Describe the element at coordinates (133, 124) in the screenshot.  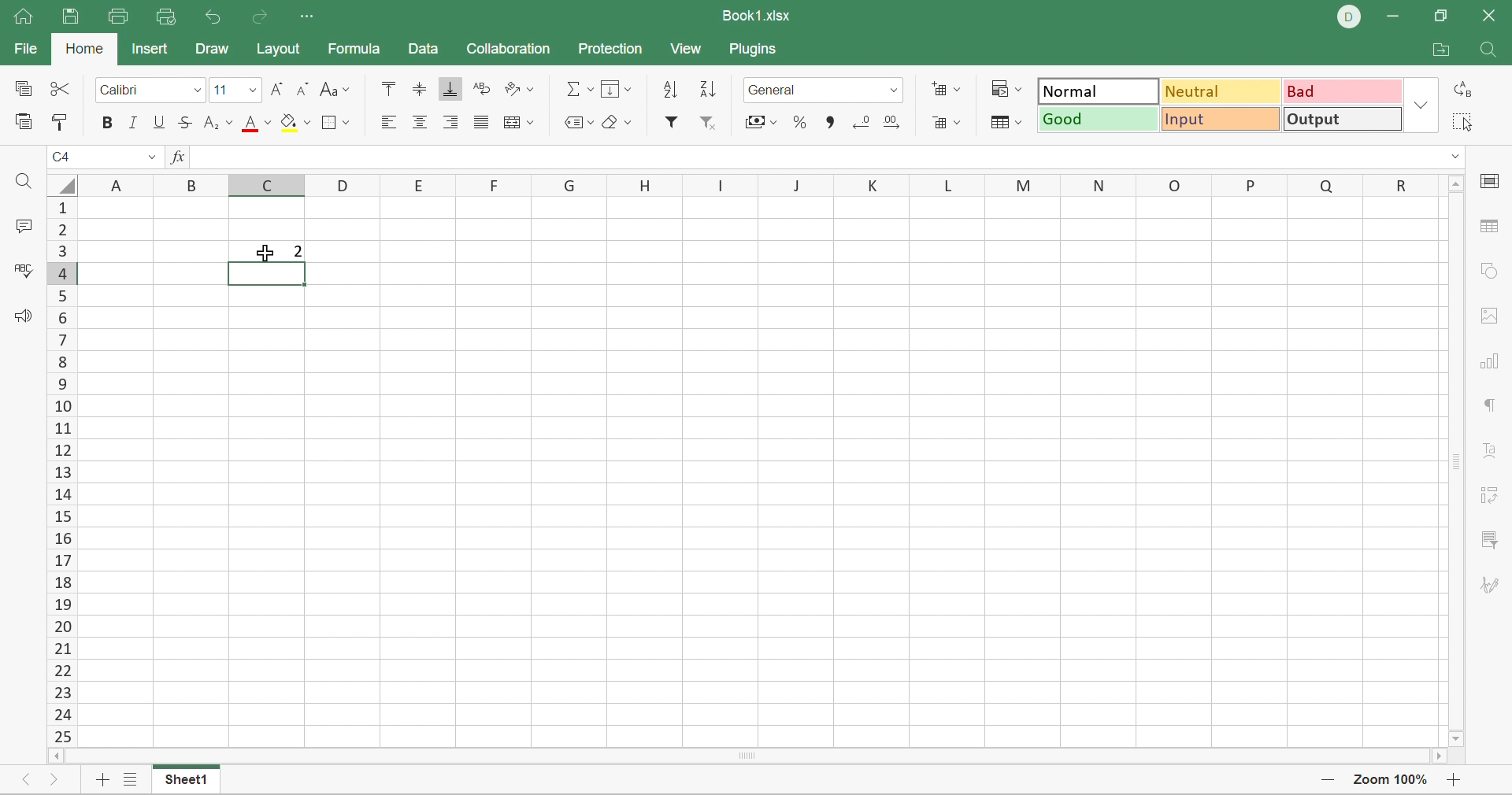
I see `Italic` at that location.